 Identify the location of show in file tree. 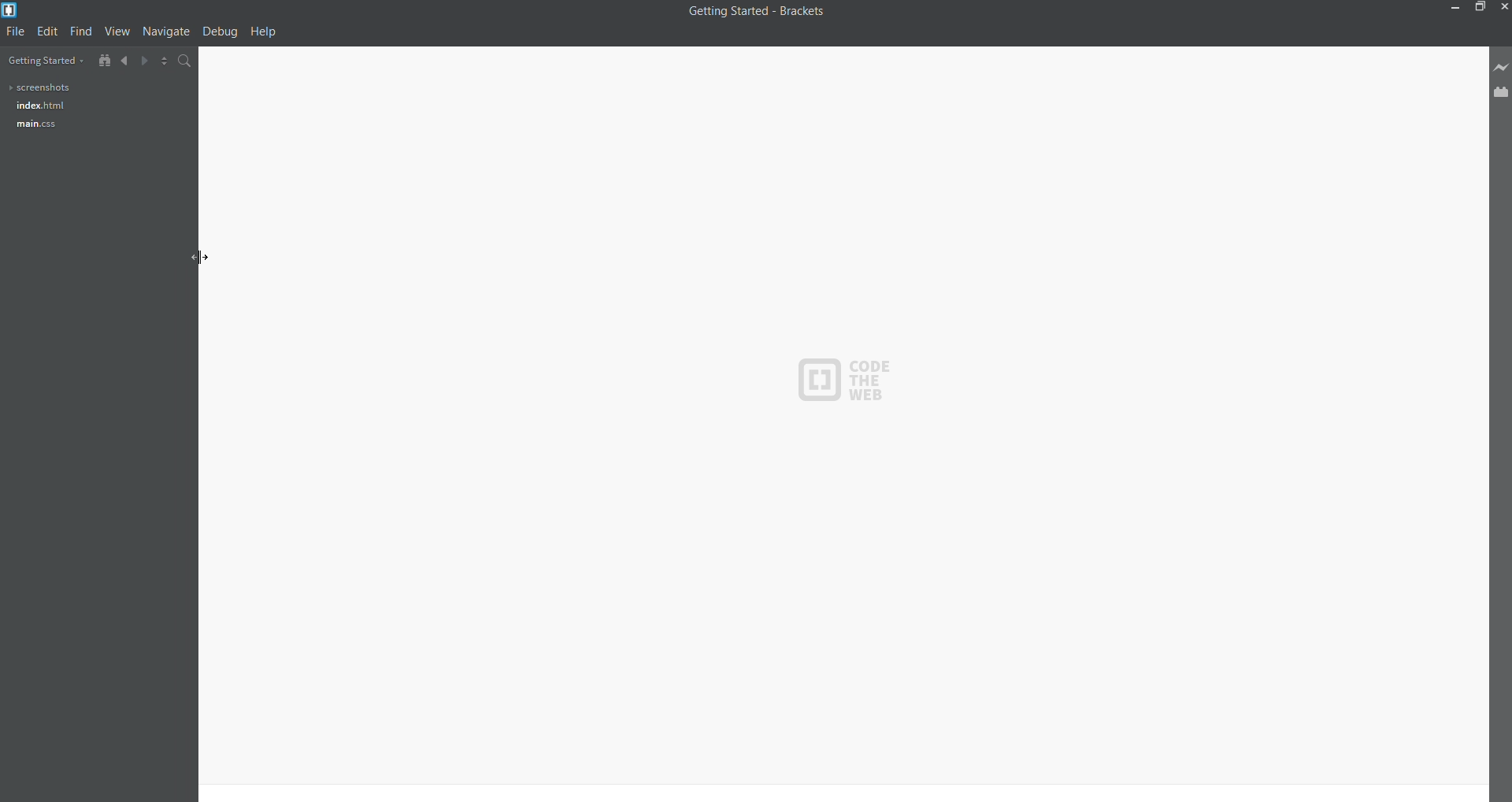
(99, 58).